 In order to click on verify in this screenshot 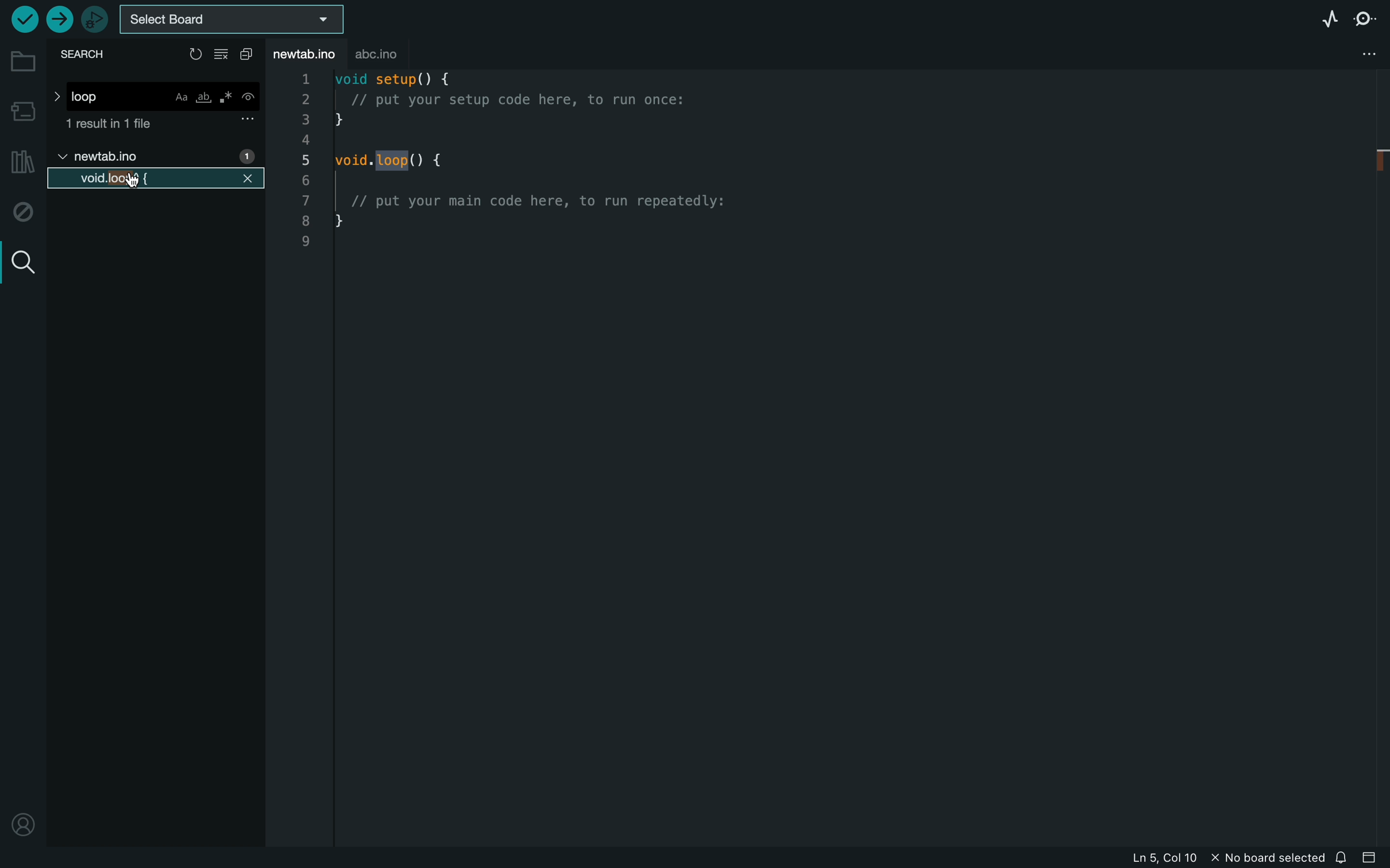, I will do `click(23, 20)`.